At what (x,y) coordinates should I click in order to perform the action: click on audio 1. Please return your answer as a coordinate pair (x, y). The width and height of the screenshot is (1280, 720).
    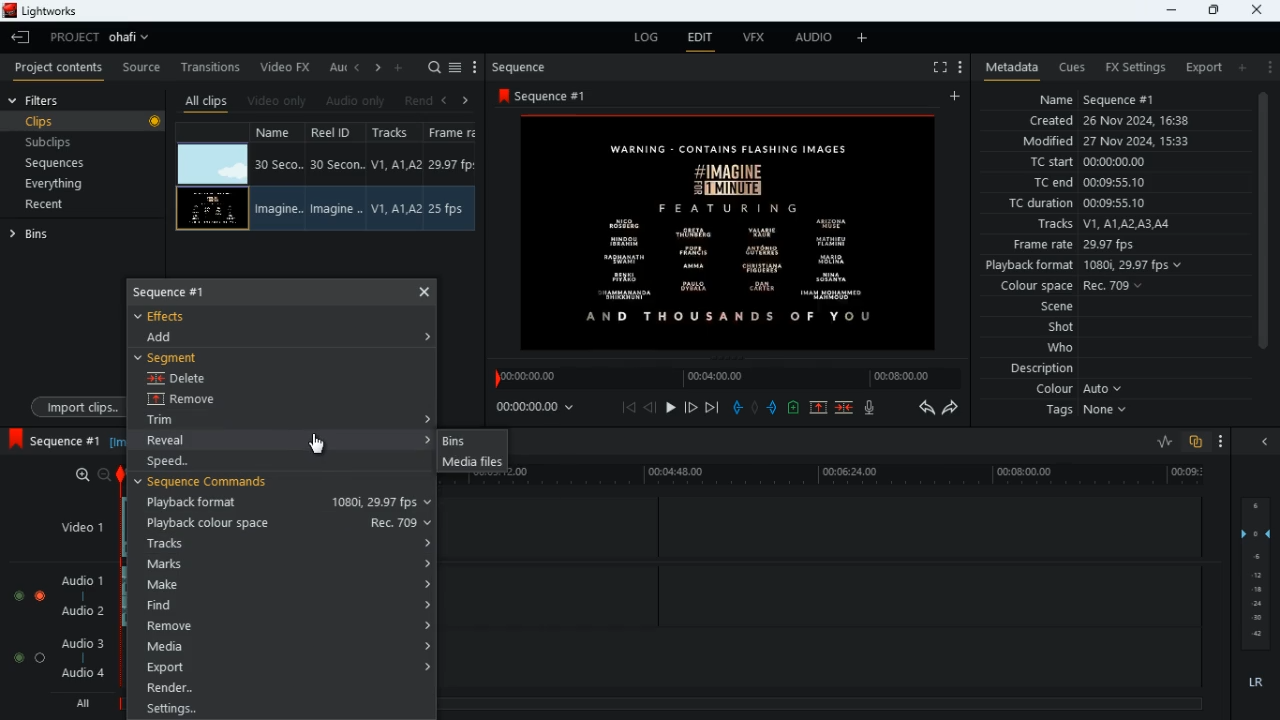
    Looking at the image, I should click on (85, 584).